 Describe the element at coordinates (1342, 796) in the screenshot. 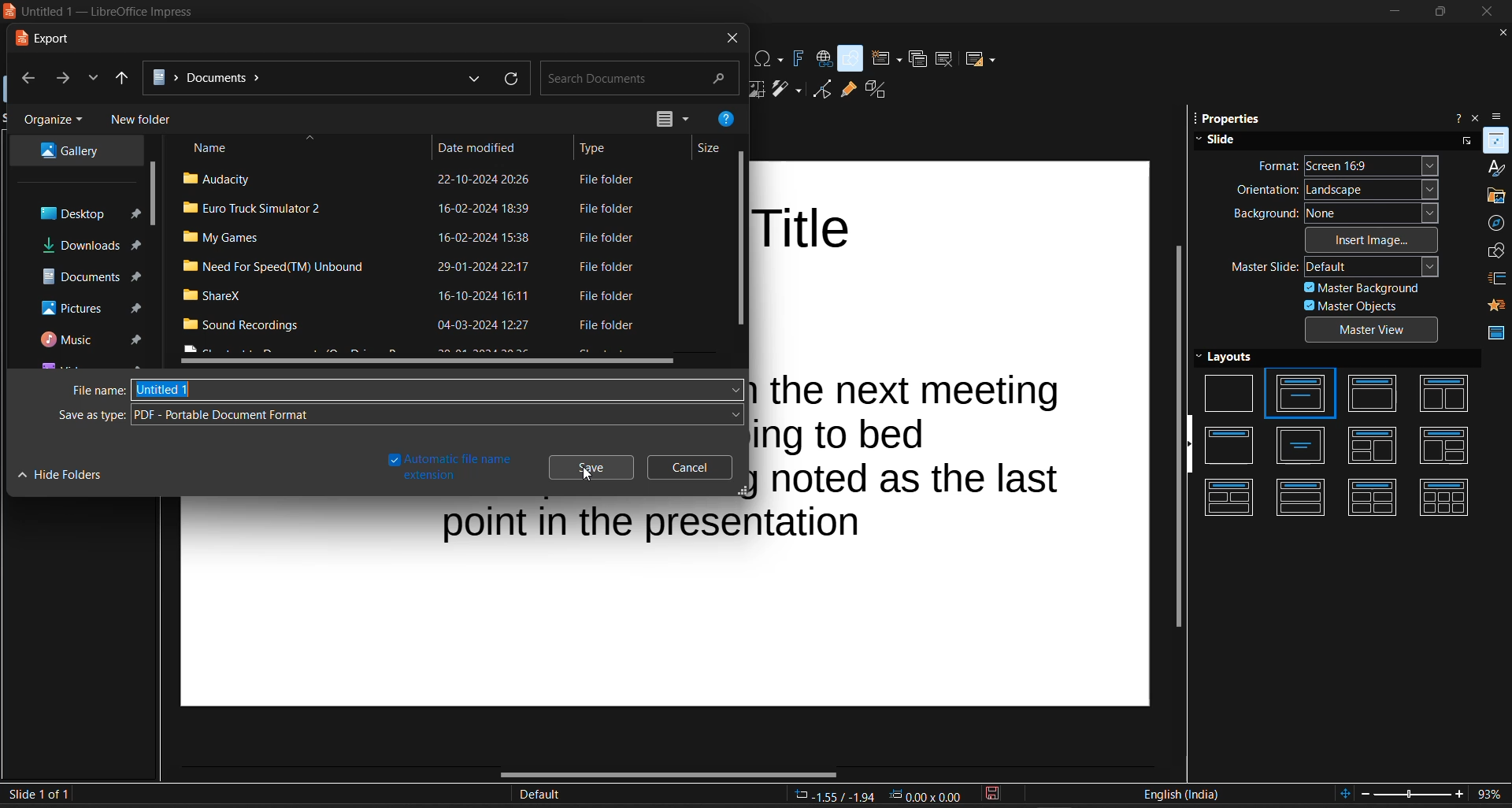

I see `fit slide to current window` at that location.